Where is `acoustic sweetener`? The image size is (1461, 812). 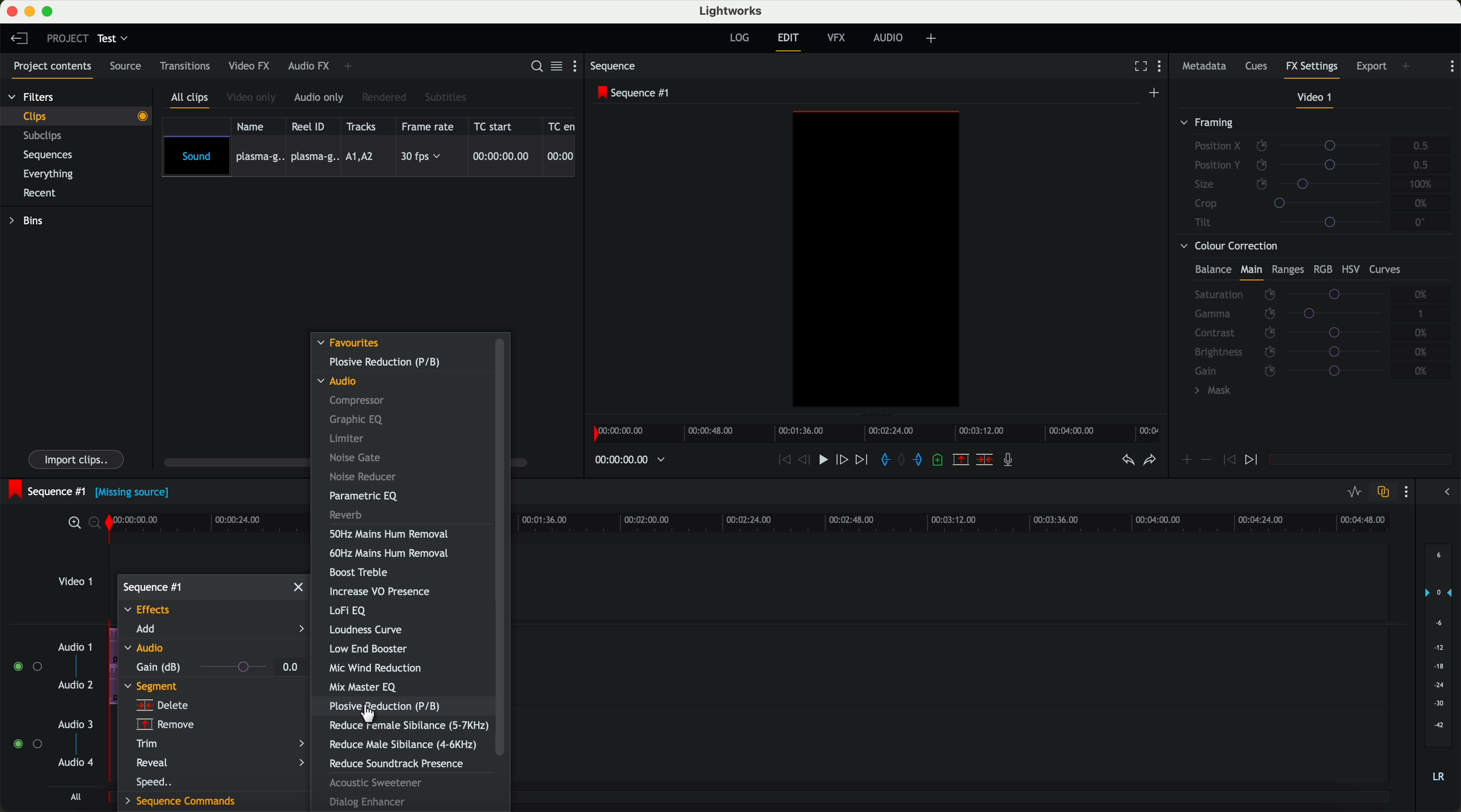
acoustic sweetener is located at coordinates (379, 783).